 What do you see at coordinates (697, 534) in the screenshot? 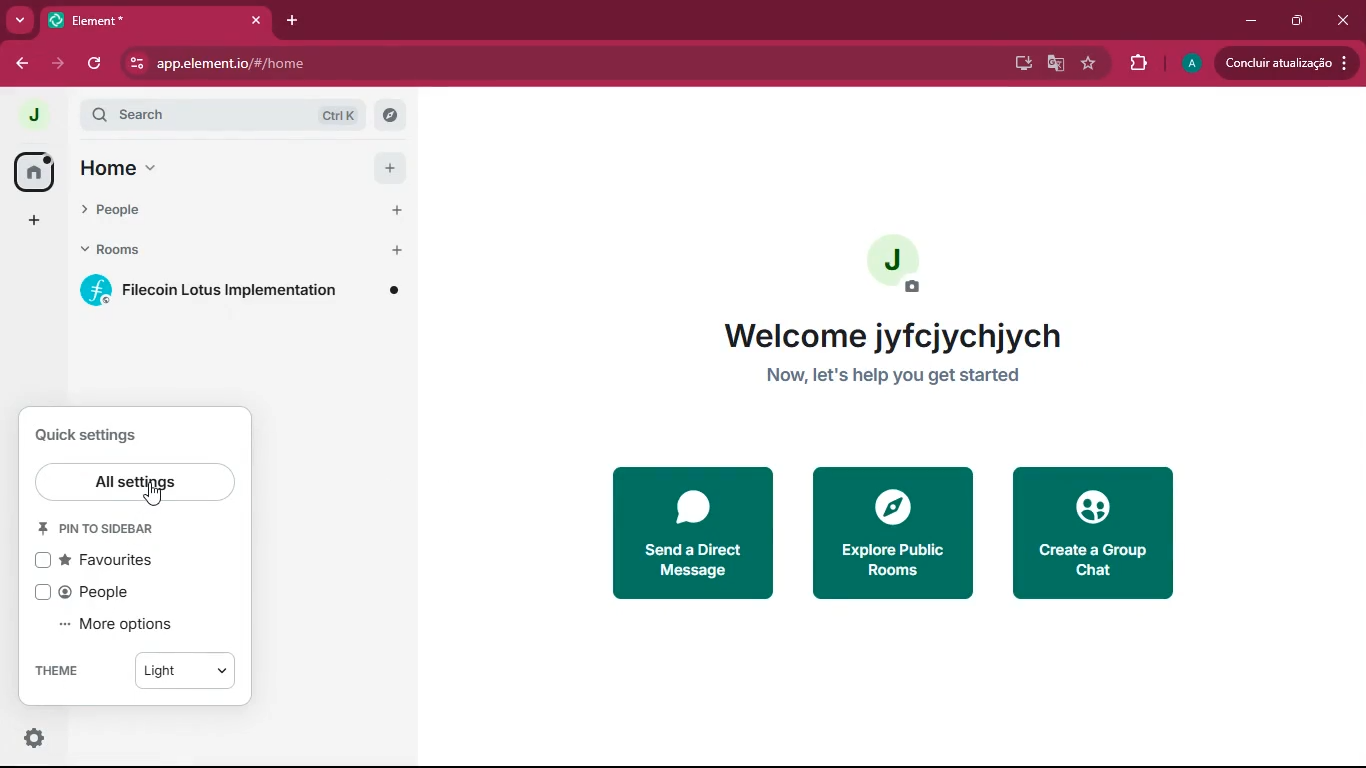
I see `send` at bounding box center [697, 534].